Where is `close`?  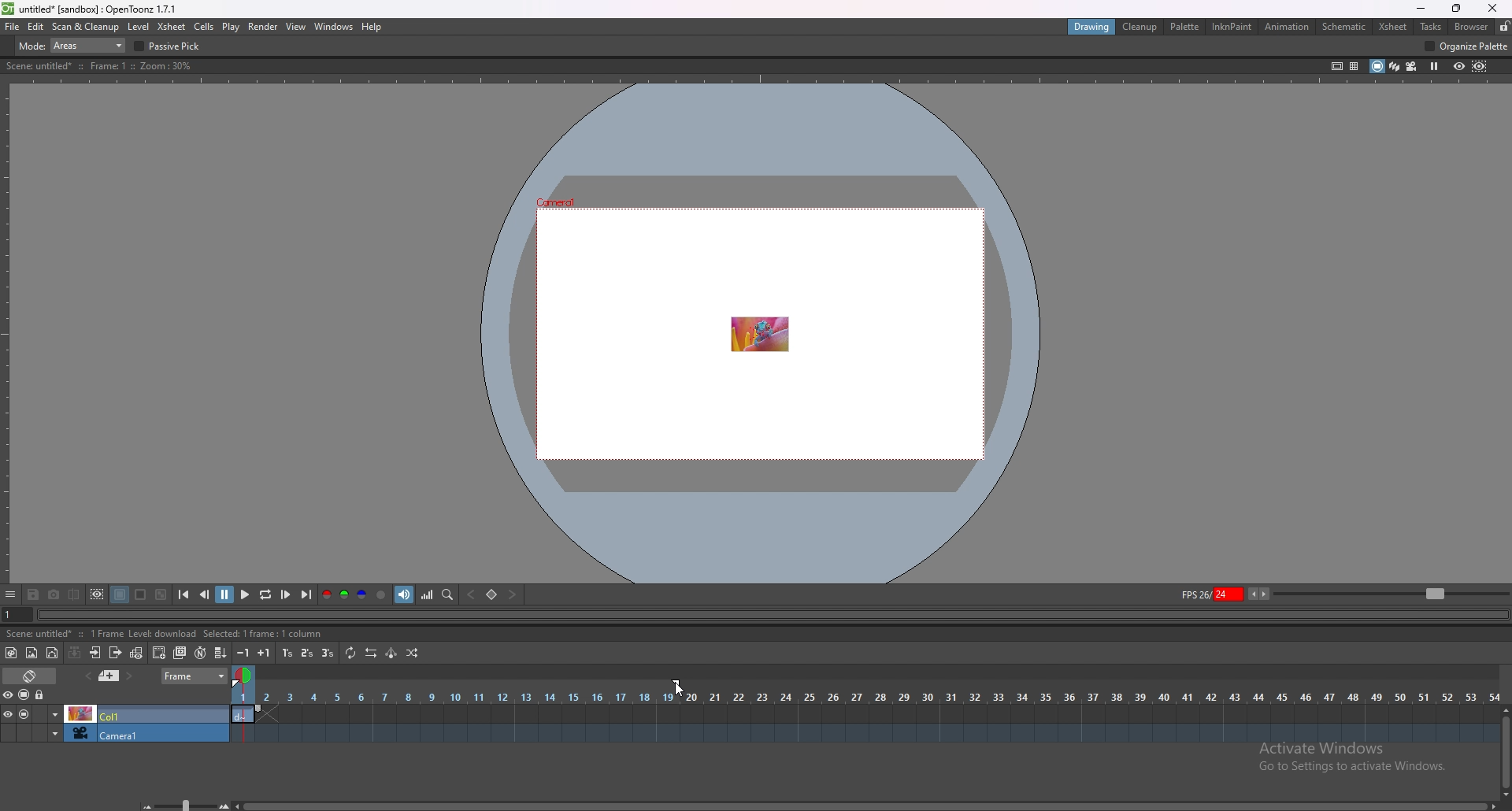 close is located at coordinates (1493, 8).